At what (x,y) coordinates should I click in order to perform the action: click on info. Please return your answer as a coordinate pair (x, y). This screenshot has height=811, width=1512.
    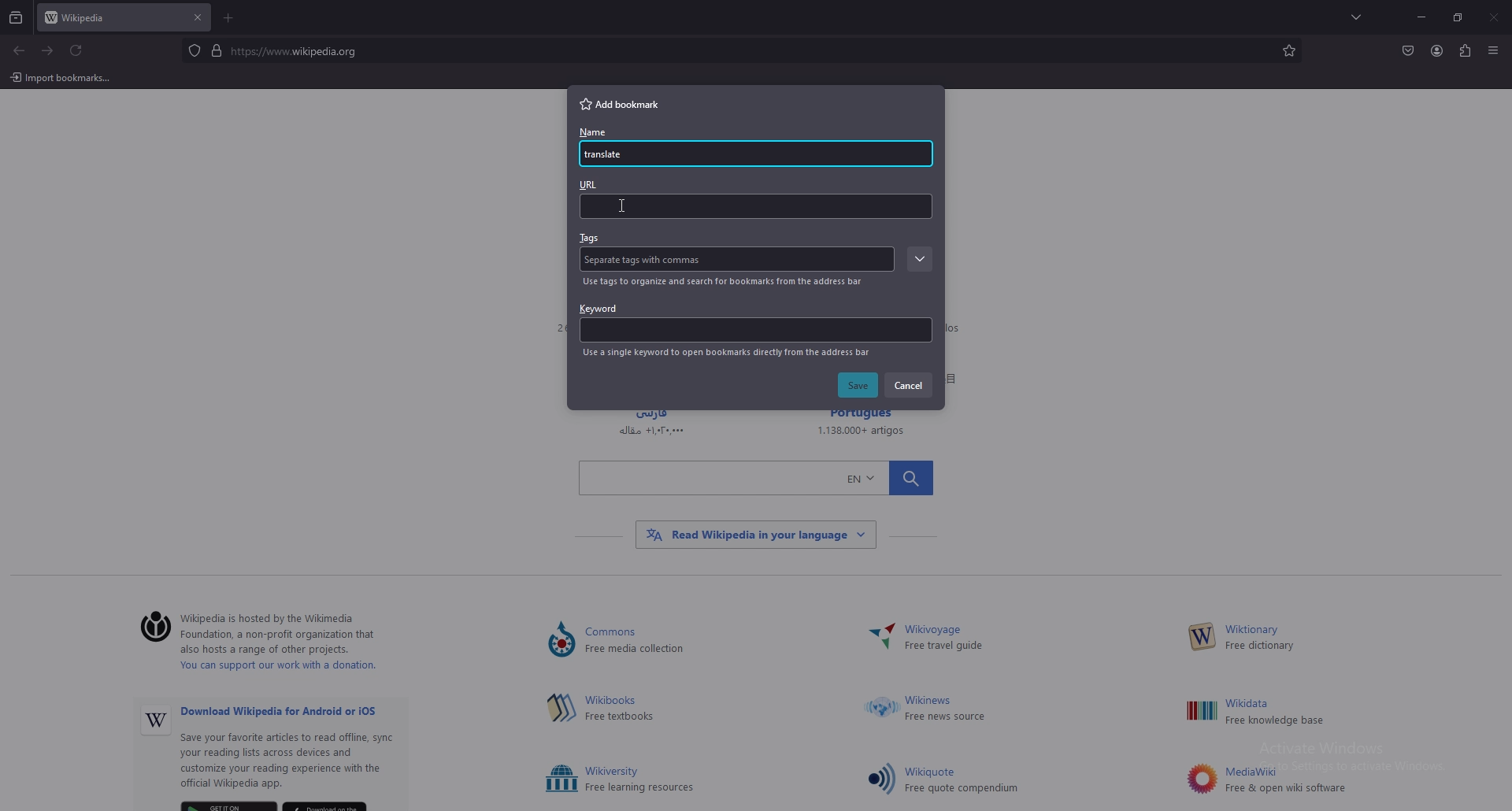
    Looking at the image, I should click on (727, 353).